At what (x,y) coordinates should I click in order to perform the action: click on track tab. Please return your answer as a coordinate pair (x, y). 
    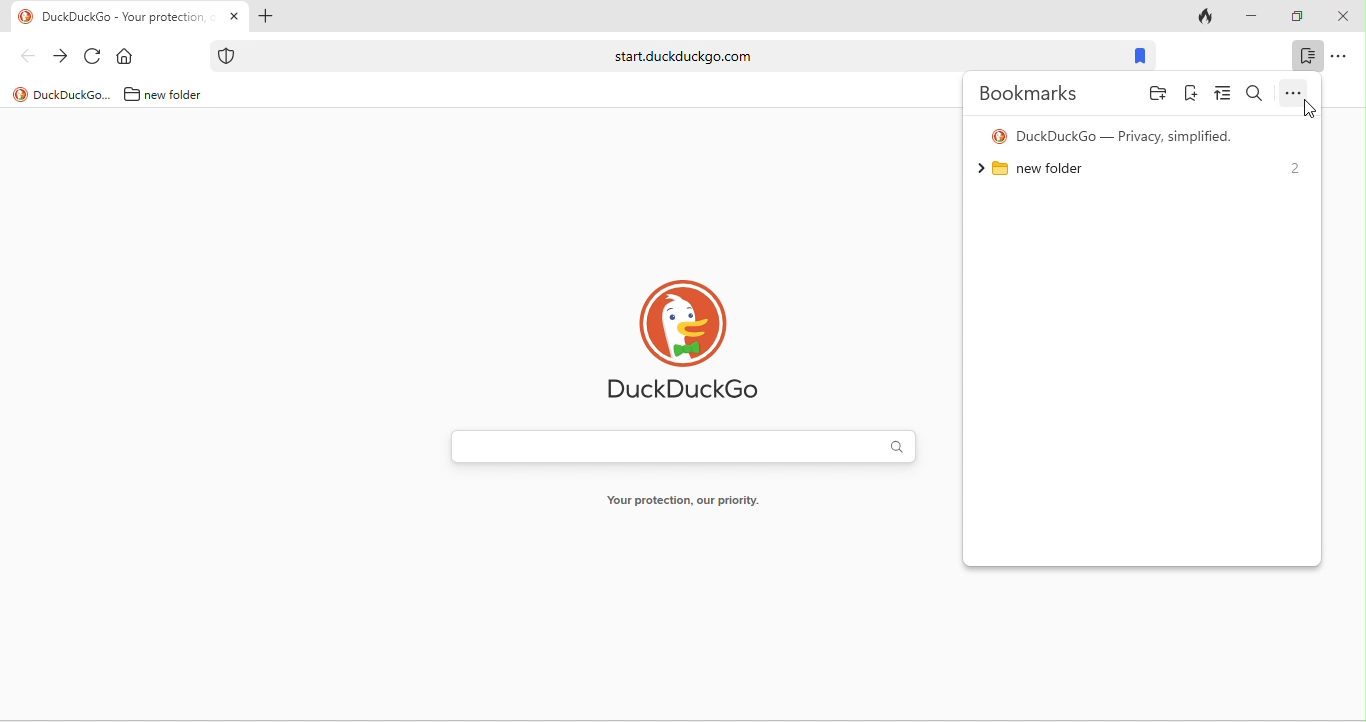
    Looking at the image, I should click on (1205, 18).